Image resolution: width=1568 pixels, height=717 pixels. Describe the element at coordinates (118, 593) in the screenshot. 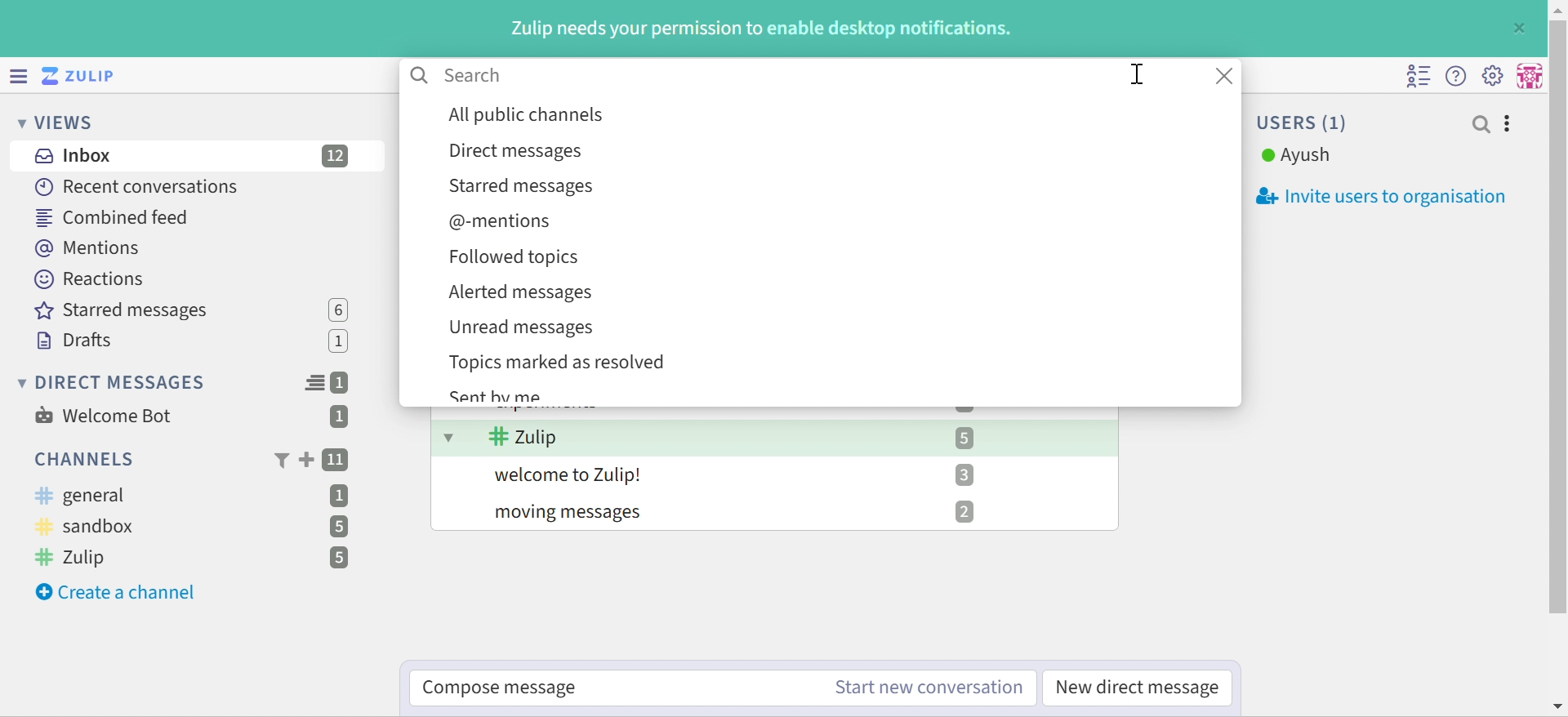

I see `Create a channel` at that location.